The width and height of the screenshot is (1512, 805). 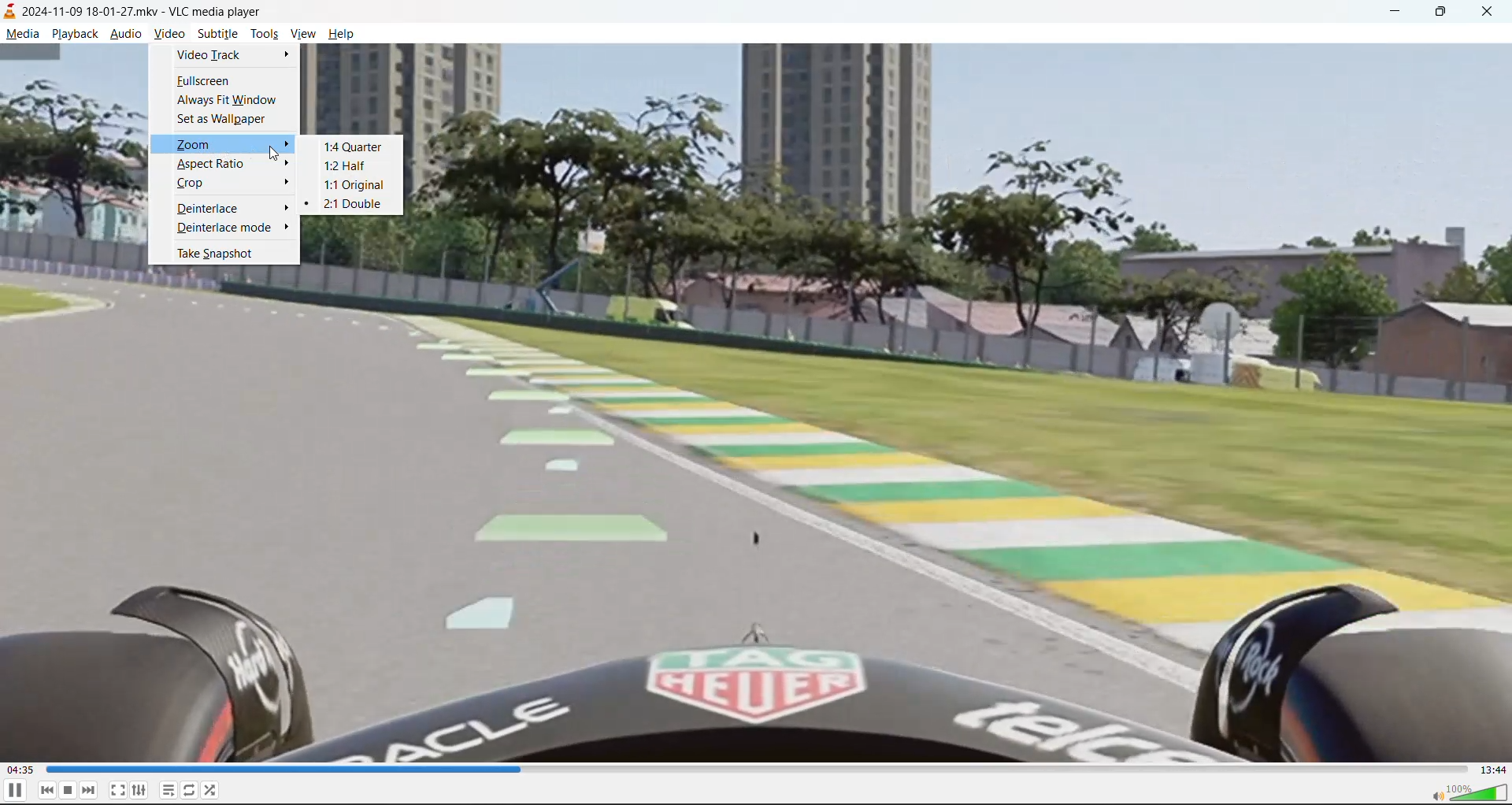 What do you see at coordinates (215, 789) in the screenshot?
I see `random` at bounding box center [215, 789].